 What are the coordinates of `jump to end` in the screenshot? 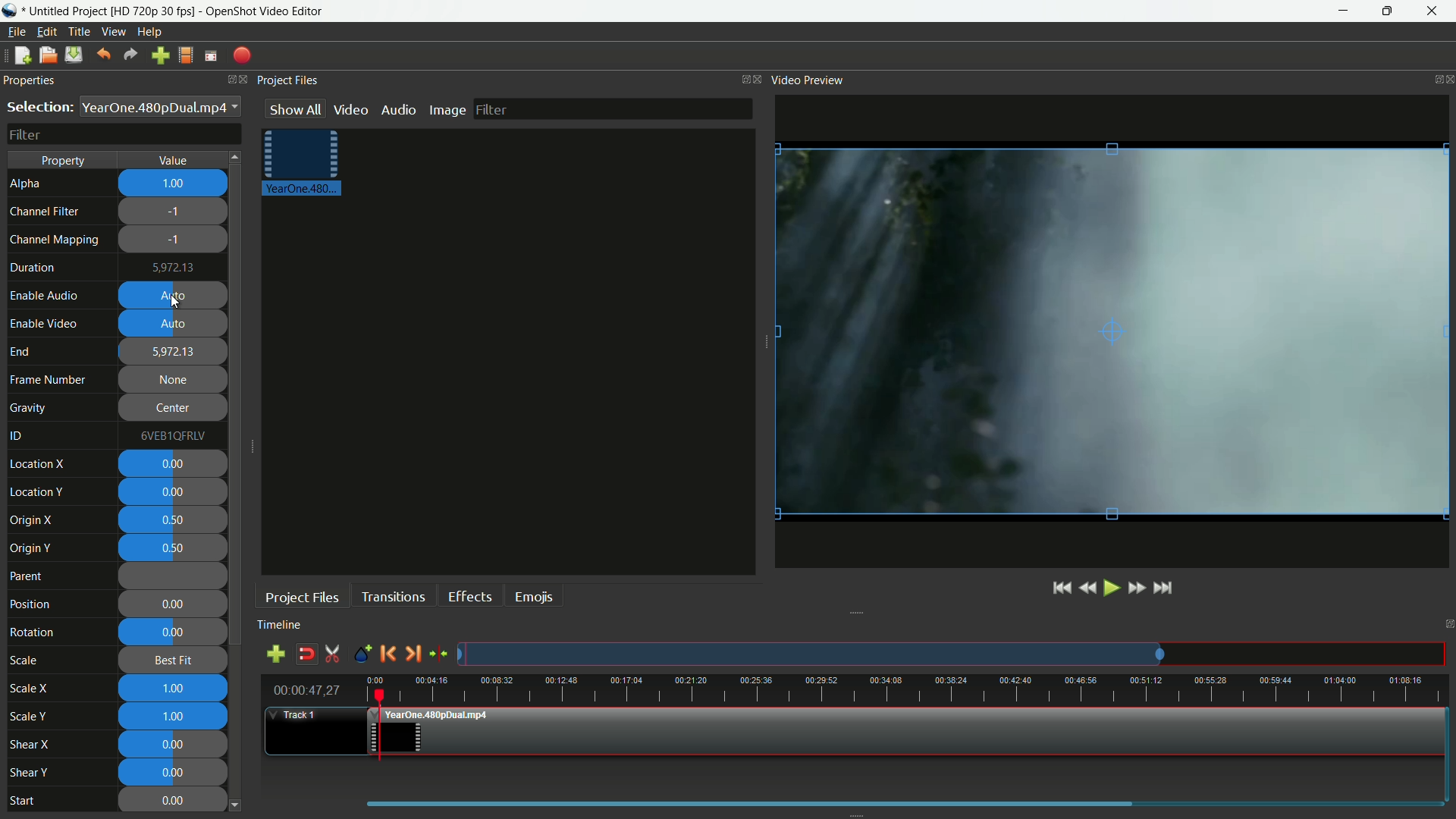 It's located at (1163, 588).